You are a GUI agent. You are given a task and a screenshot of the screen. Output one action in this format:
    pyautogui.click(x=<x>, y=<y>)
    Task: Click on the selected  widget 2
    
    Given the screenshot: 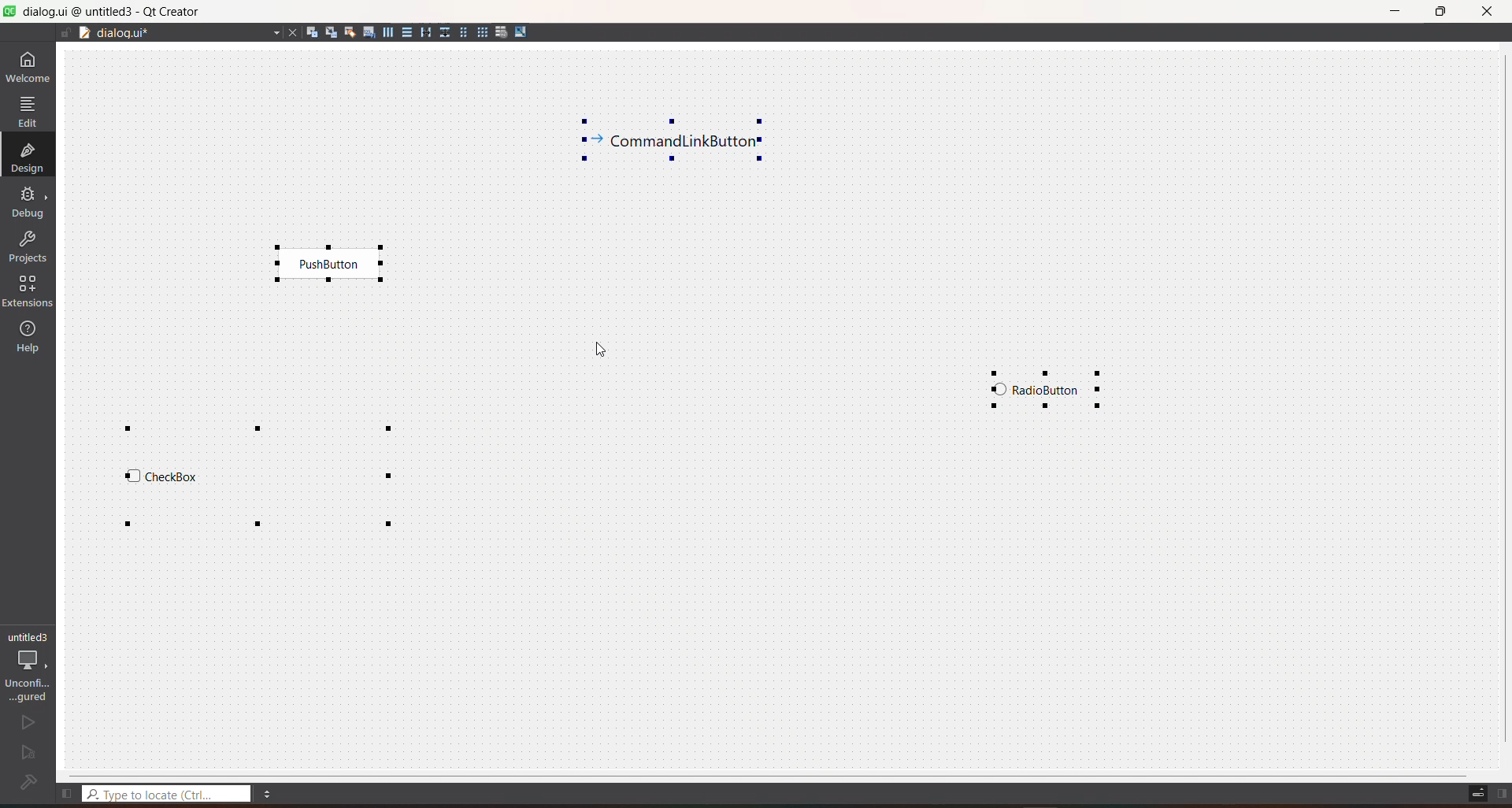 What is the action you would take?
    pyautogui.click(x=264, y=472)
    